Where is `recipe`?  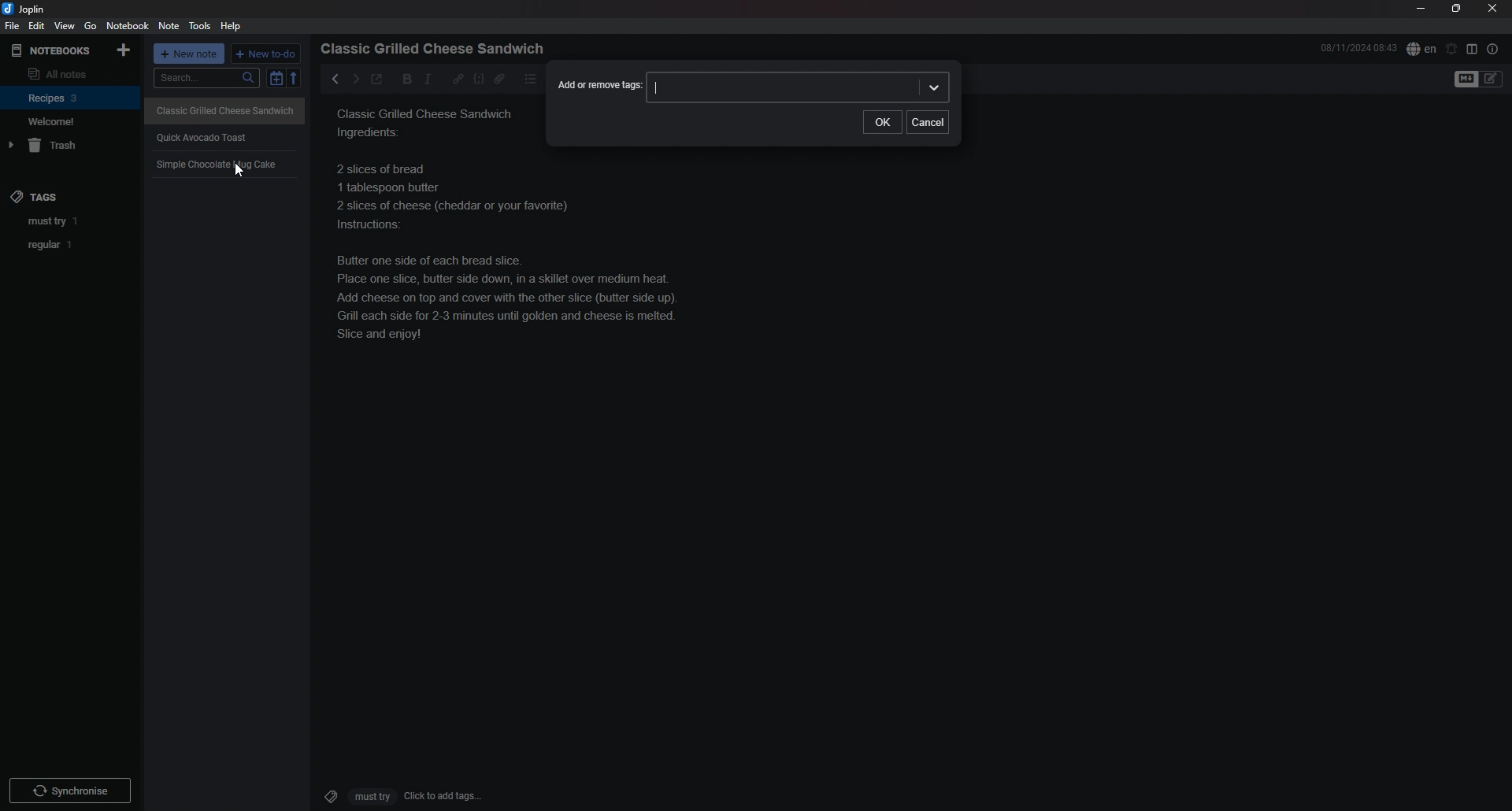
recipe is located at coordinates (428, 125).